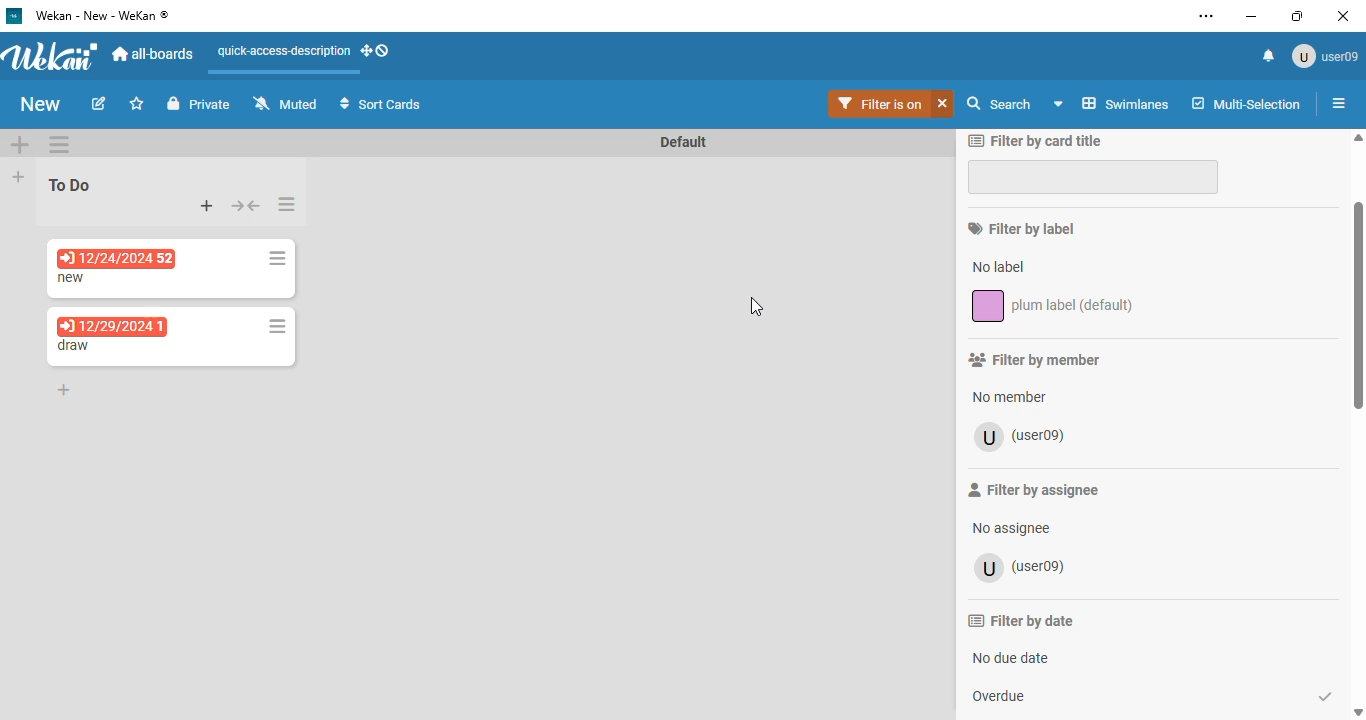  I want to click on no label, so click(997, 266).